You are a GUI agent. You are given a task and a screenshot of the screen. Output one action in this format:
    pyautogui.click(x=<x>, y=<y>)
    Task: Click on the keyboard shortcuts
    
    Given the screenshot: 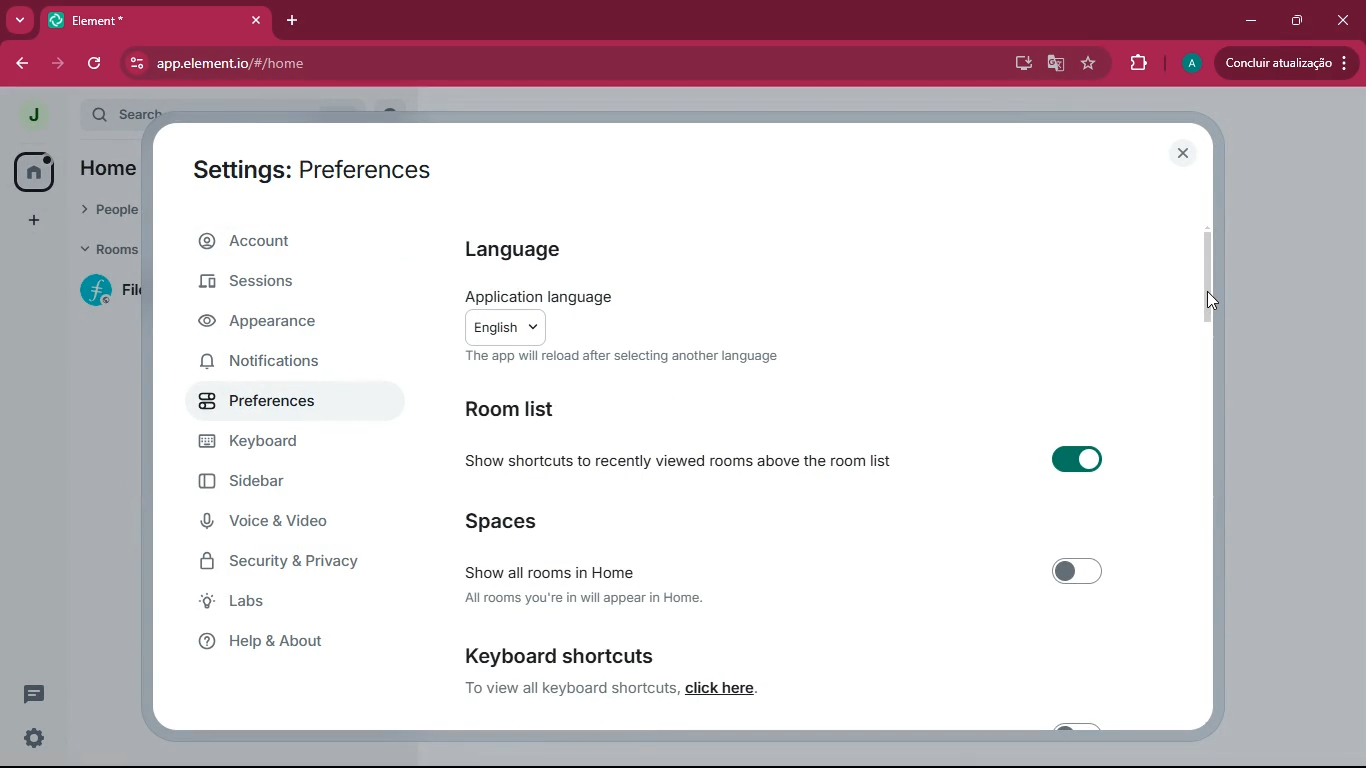 What is the action you would take?
    pyautogui.click(x=558, y=655)
    